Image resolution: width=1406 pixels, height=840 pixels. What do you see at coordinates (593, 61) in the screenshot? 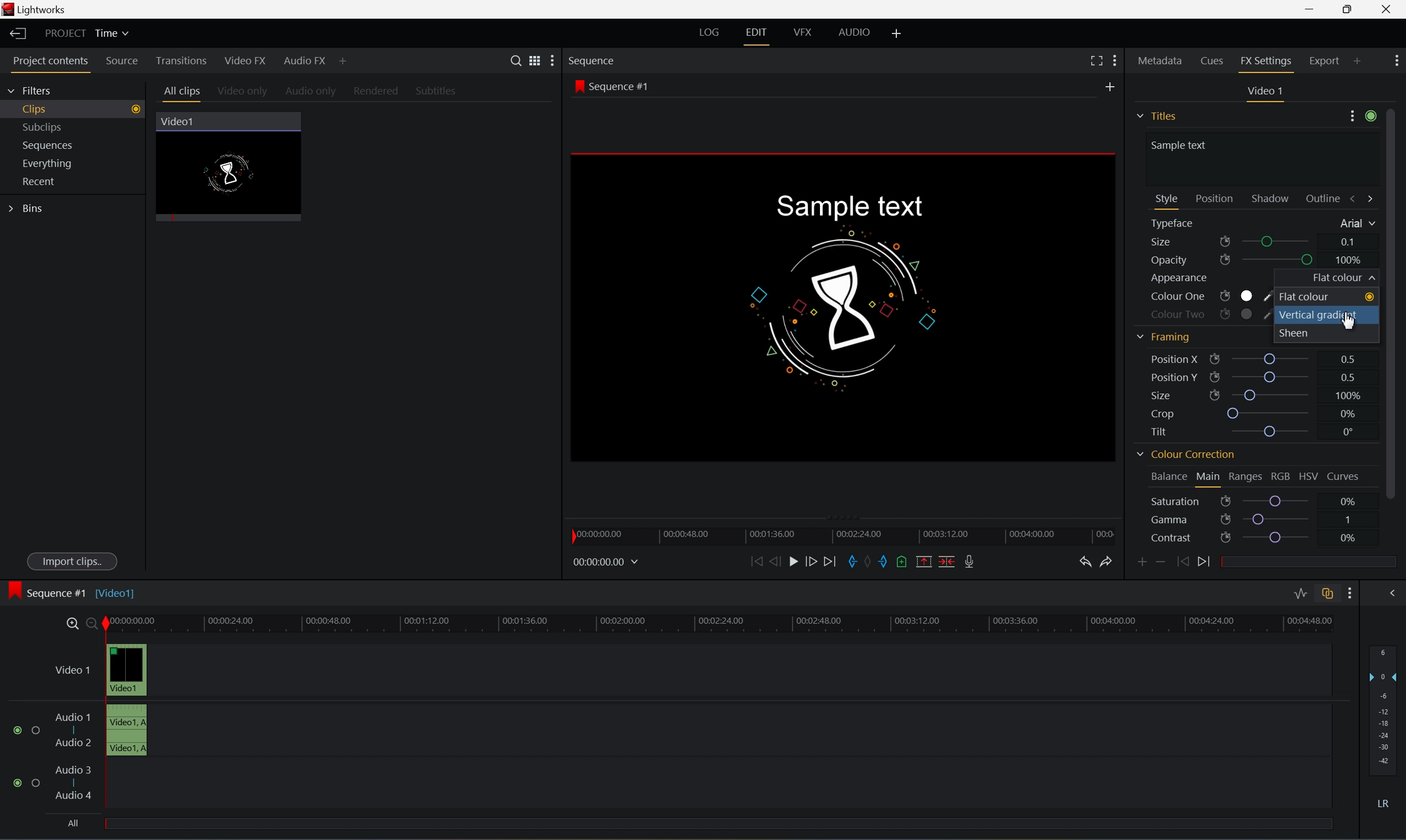
I see `Sequence` at bounding box center [593, 61].